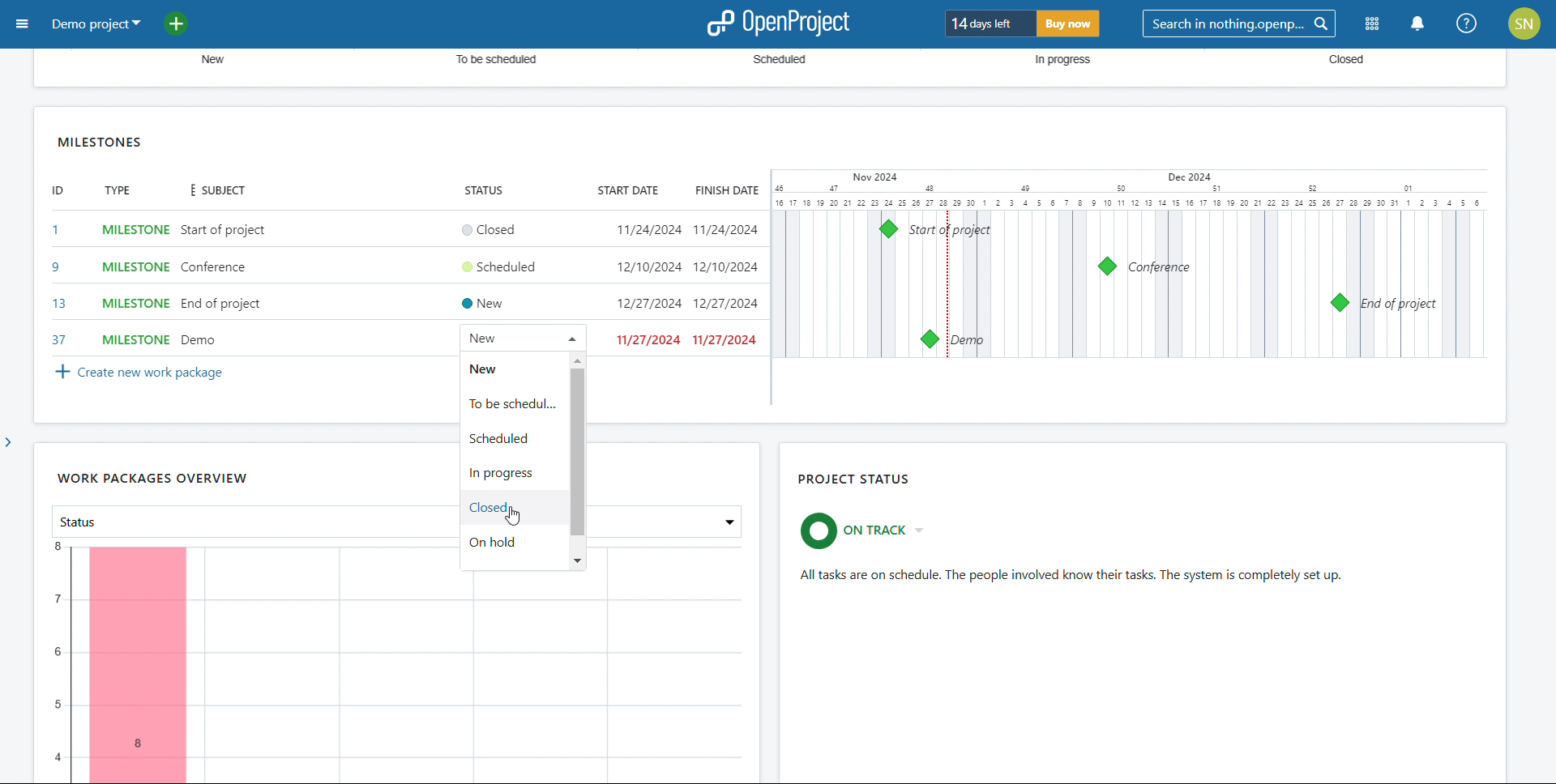  Describe the element at coordinates (512, 509) in the screenshot. I see `closed` at that location.